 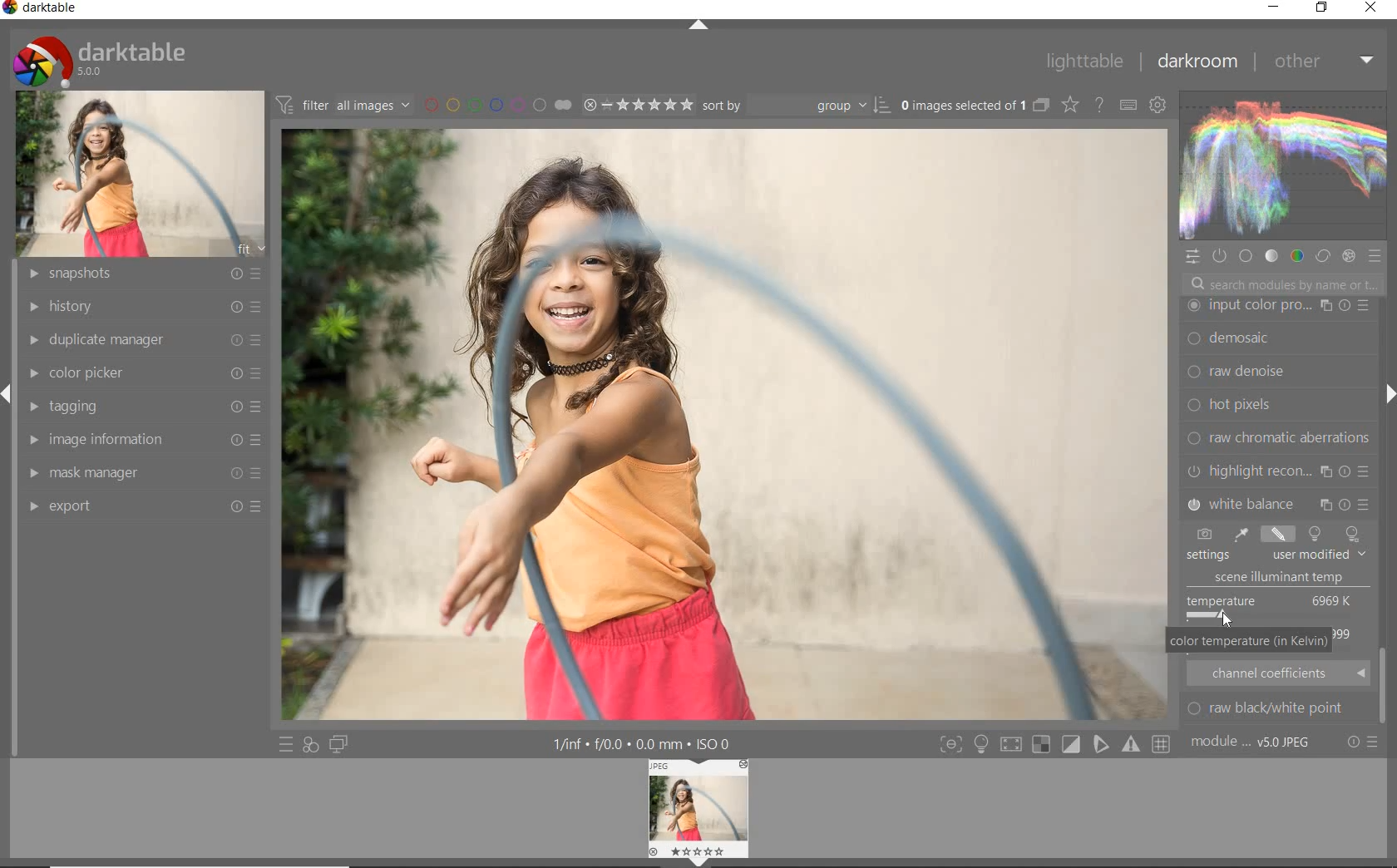 I want to click on watermark, so click(x=1277, y=306).